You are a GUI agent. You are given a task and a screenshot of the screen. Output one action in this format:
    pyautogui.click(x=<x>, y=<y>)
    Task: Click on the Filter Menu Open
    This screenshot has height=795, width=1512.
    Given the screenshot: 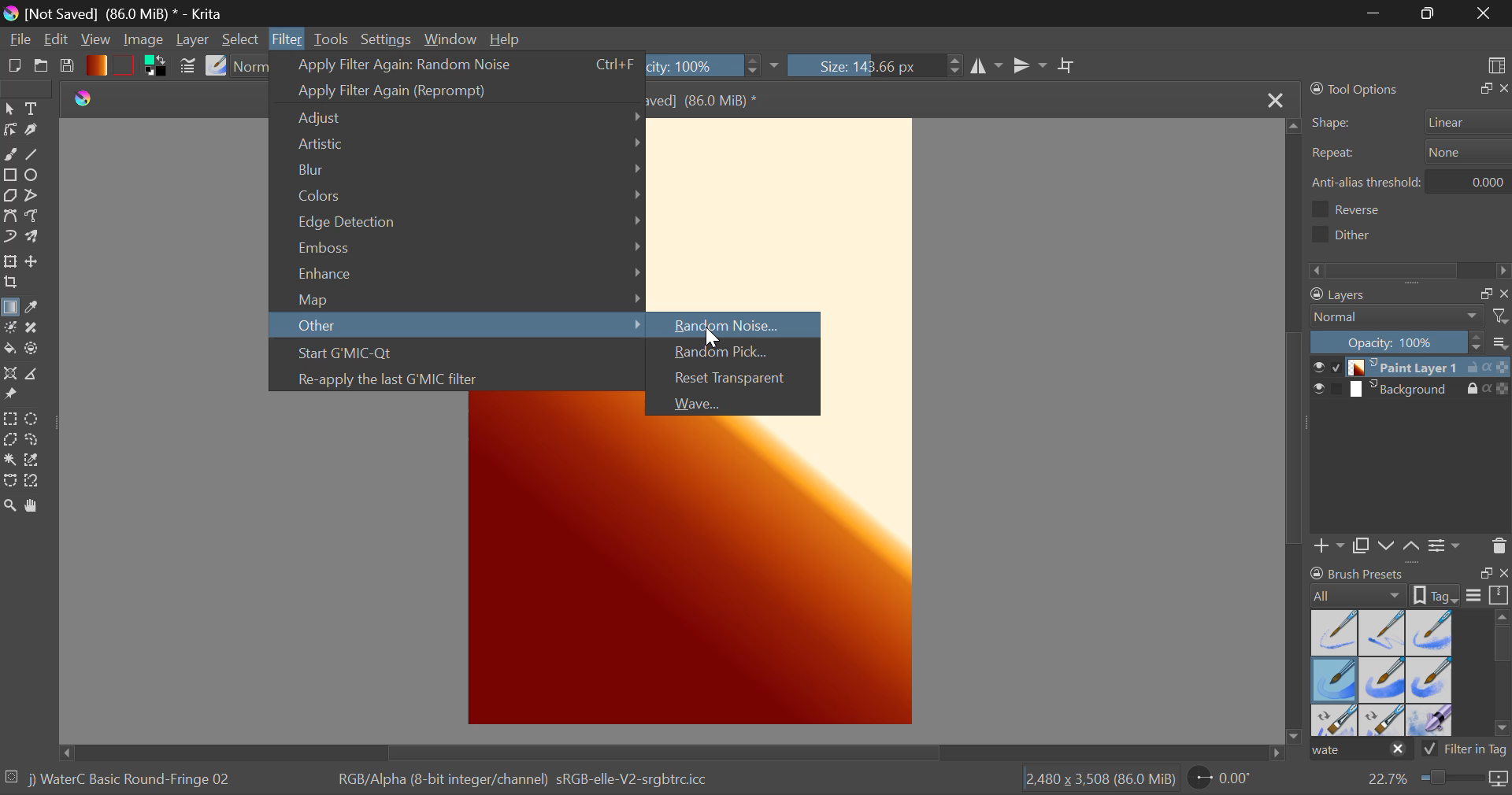 What is the action you would take?
    pyautogui.click(x=284, y=38)
    